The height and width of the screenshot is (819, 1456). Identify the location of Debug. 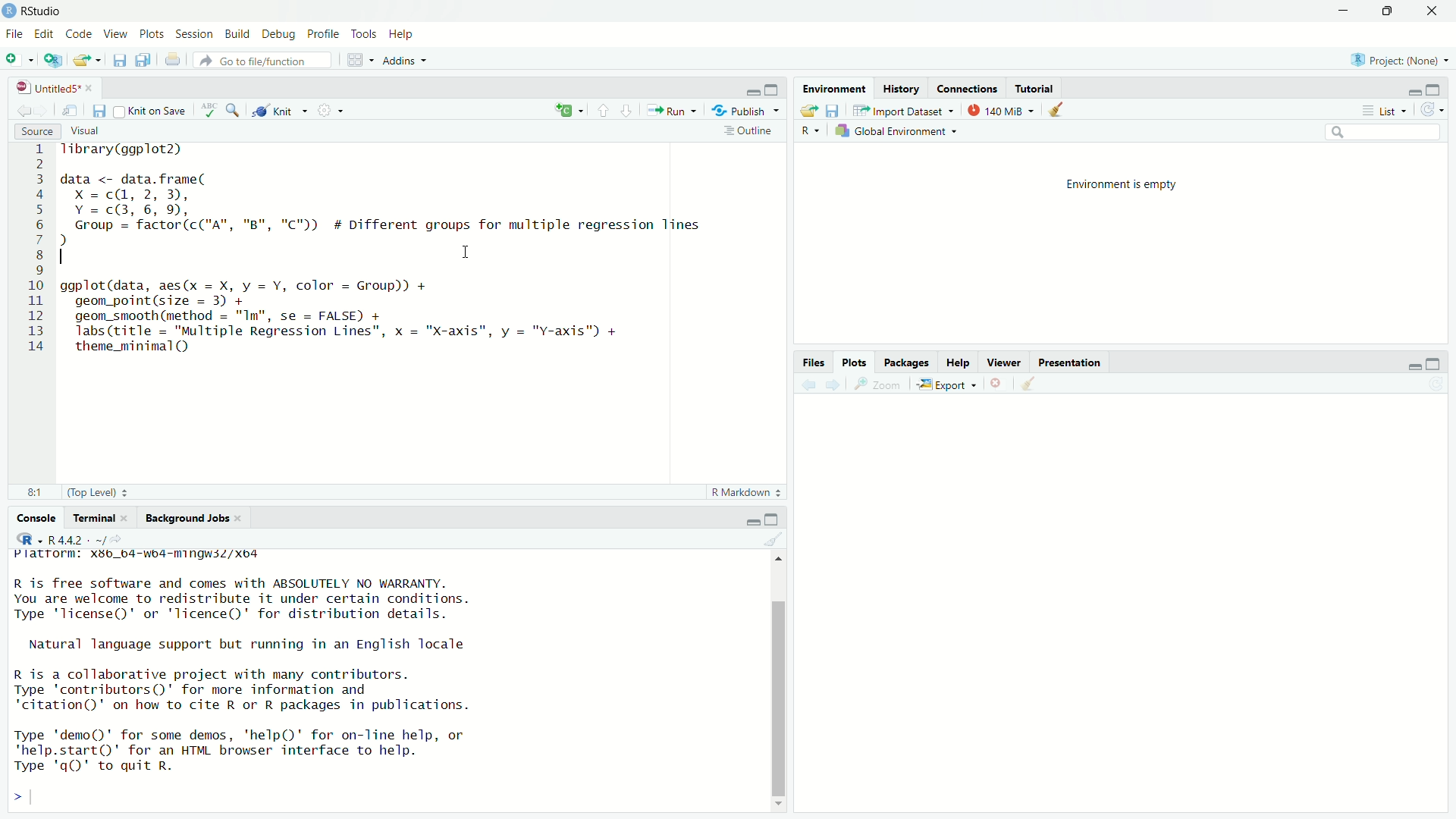
(278, 35).